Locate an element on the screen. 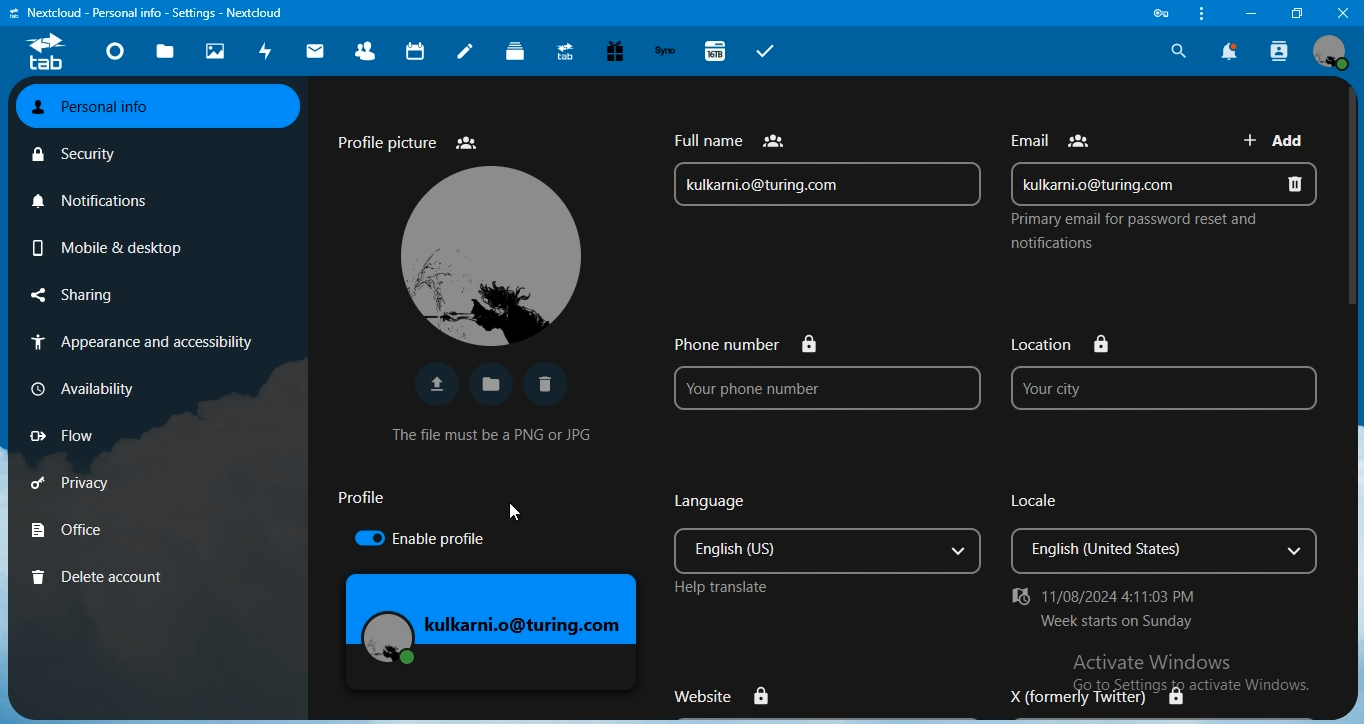  search is located at coordinates (1176, 50).